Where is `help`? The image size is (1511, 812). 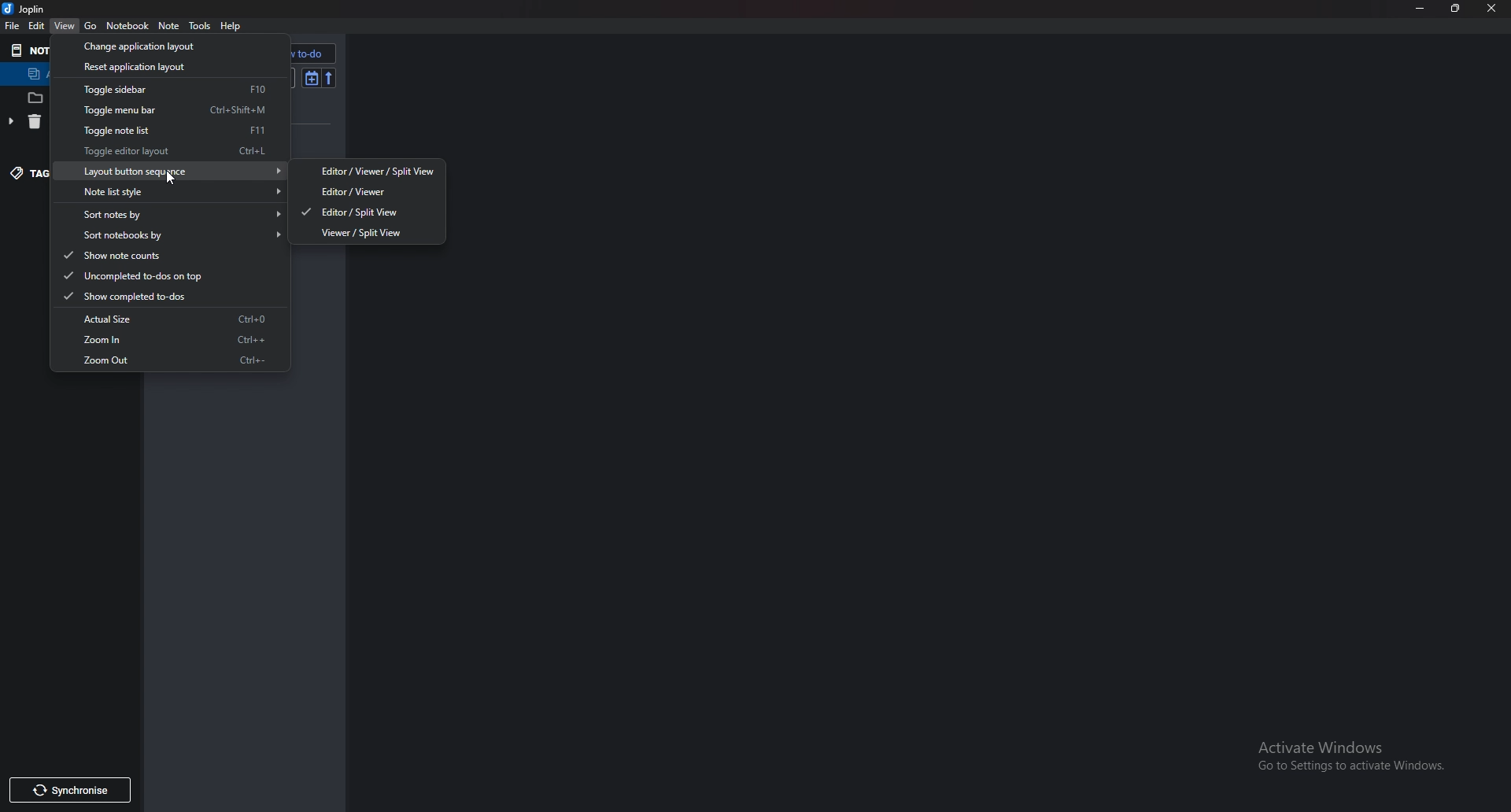 help is located at coordinates (231, 28).